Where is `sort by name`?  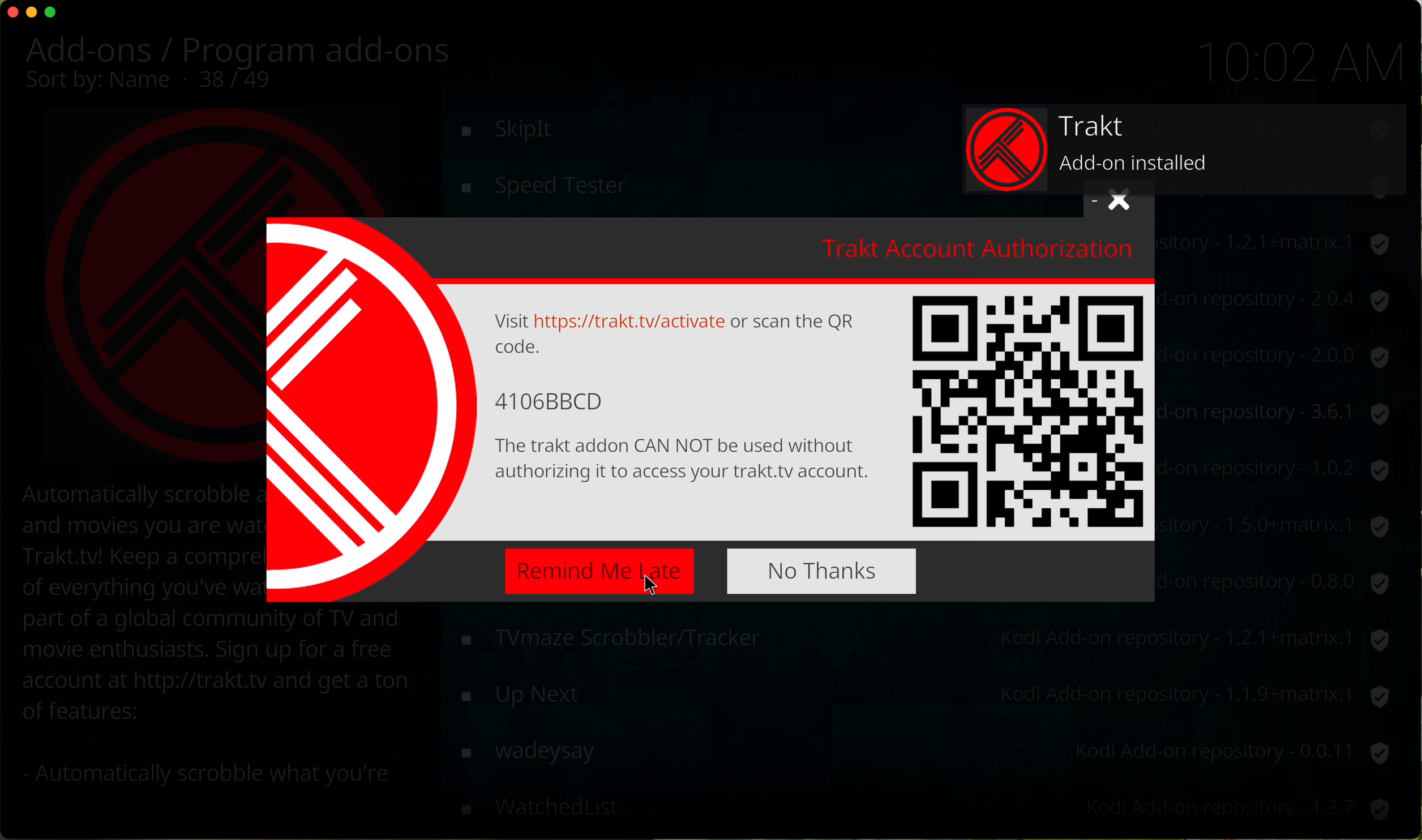
sort by name is located at coordinates (105, 84).